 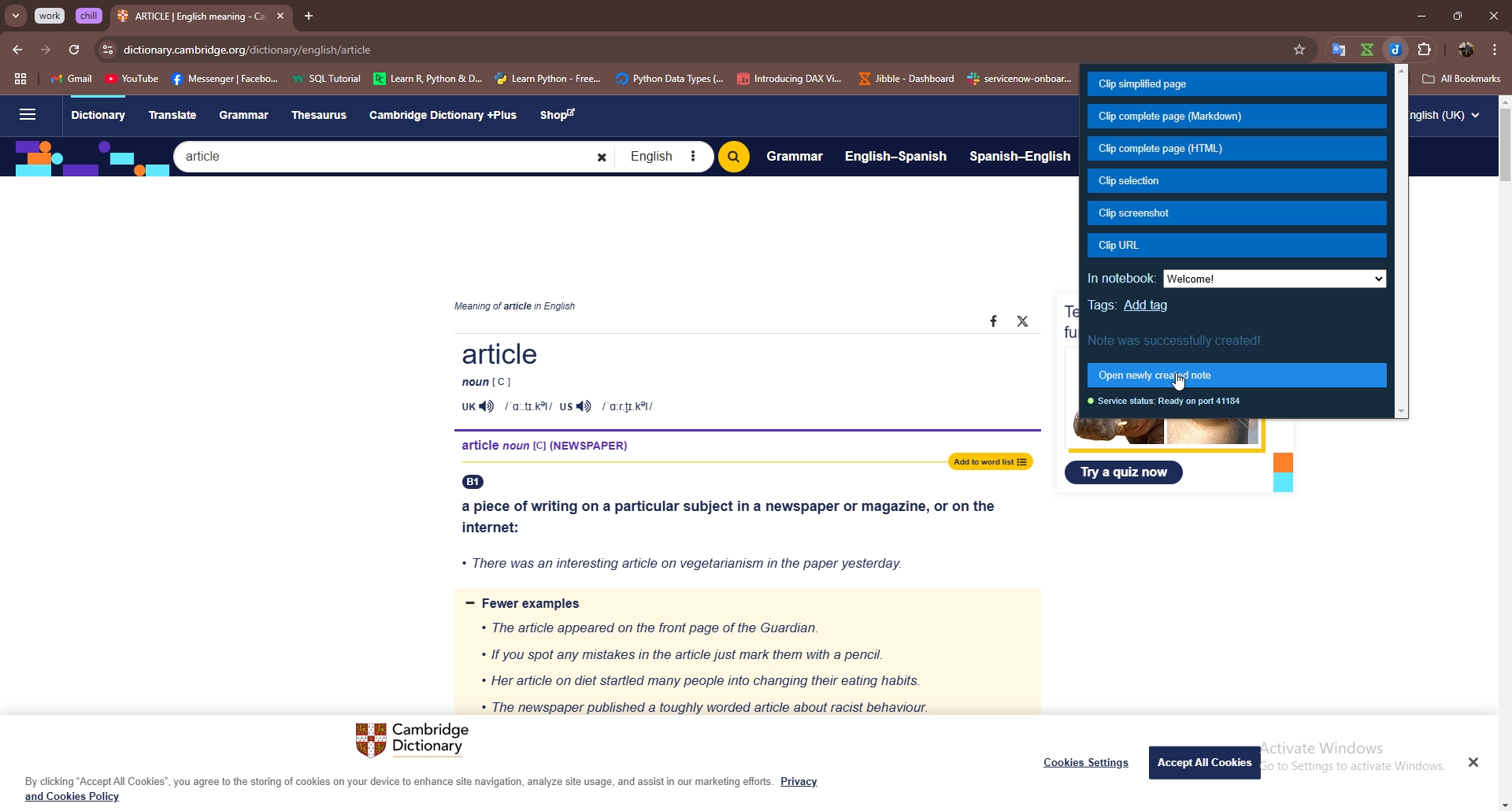 What do you see at coordinates (743, 654) in the screenshot?
I see `= Fewer examples
« The article appeared on the front page of the Guardian.
« If you spot any mistakes in the article just mark them with a pencil.
* Her article on diet startled many people into changing their eating habits.
« The newspaper published a toughly worded article about racist behaviour.` at bounding box center [743, 654].